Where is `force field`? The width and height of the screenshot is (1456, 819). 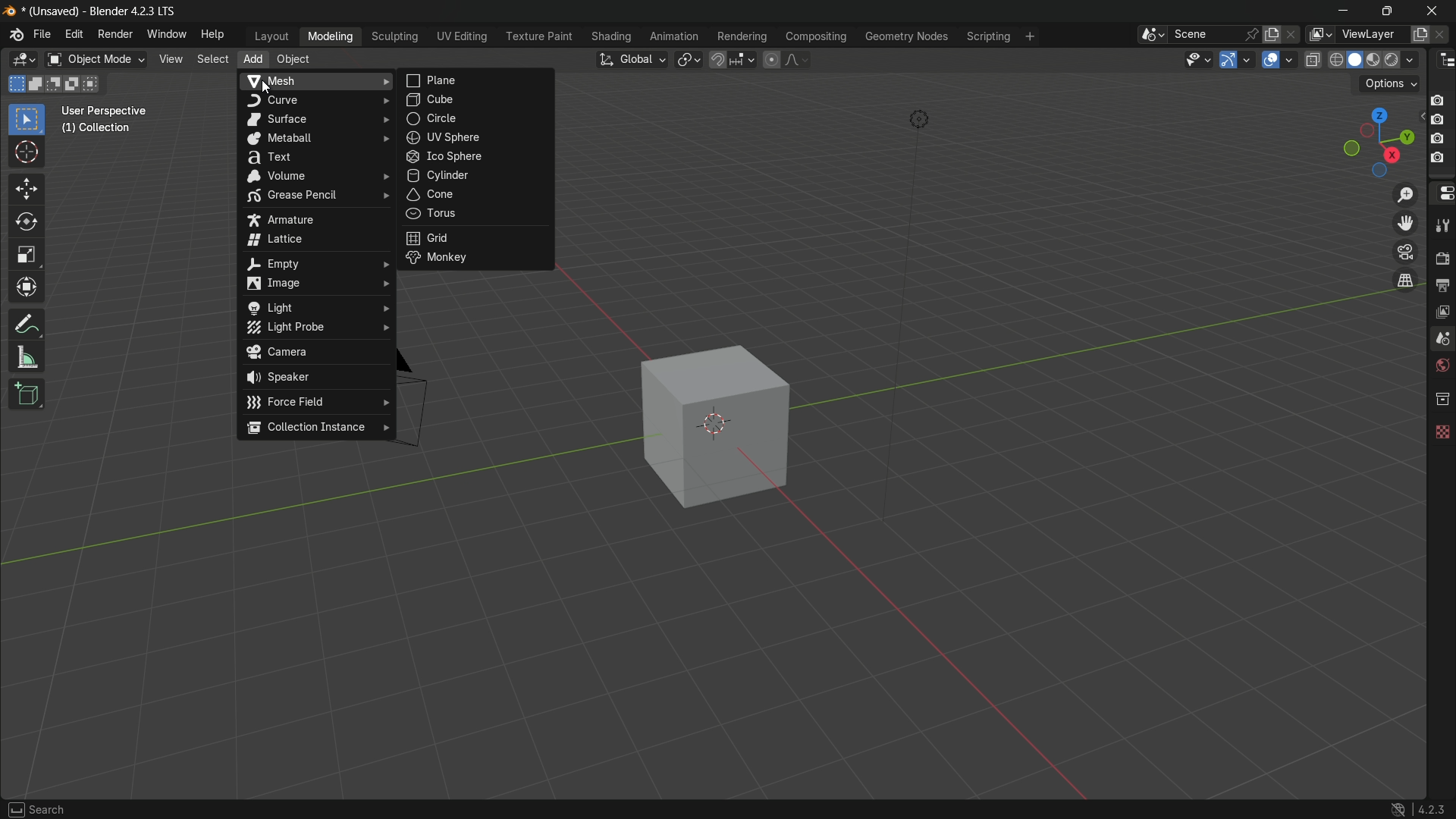 force field is located at coordinates (317, 403).